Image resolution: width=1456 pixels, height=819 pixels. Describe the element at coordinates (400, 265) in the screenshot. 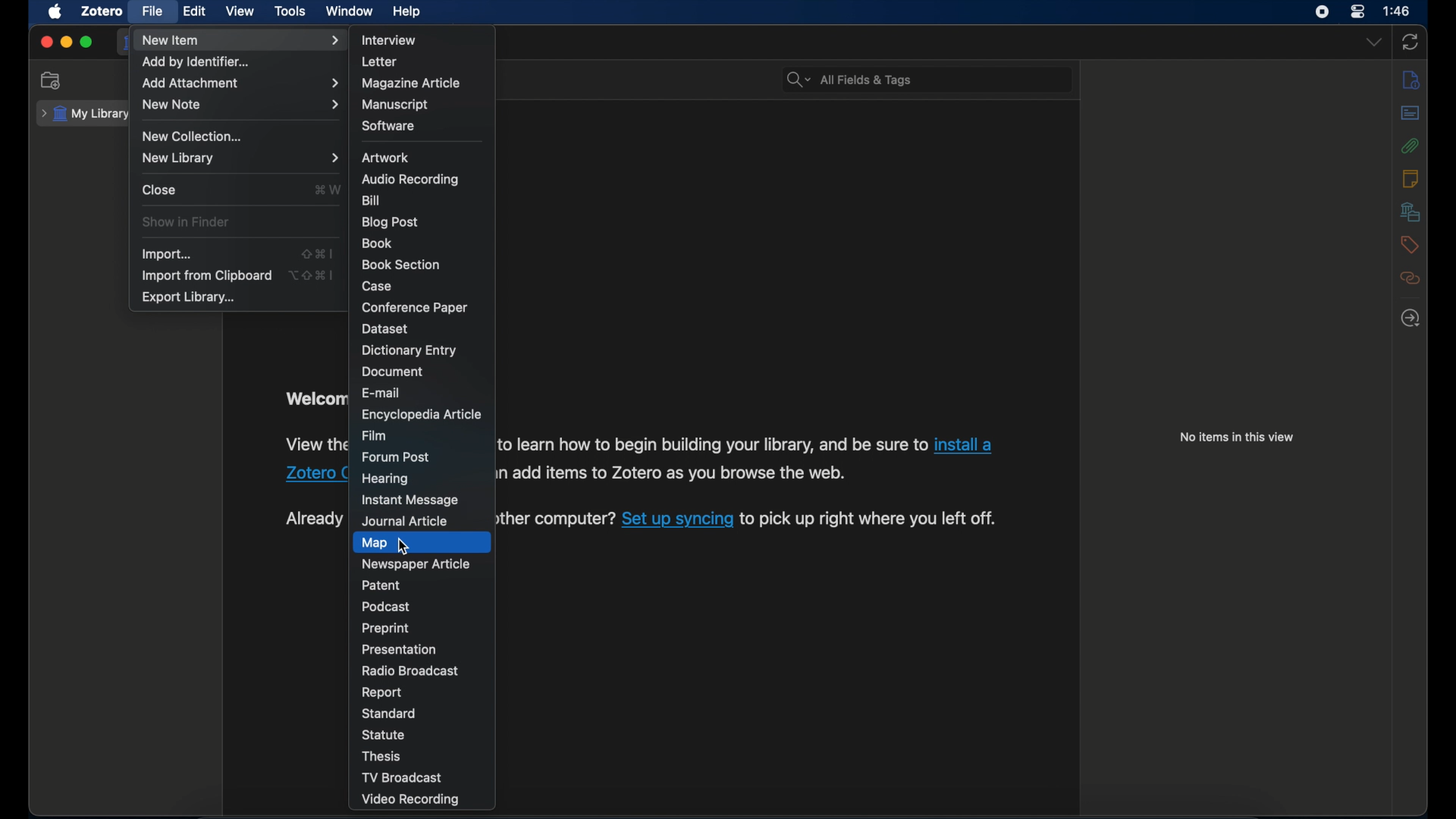

I see `book section` at that location.